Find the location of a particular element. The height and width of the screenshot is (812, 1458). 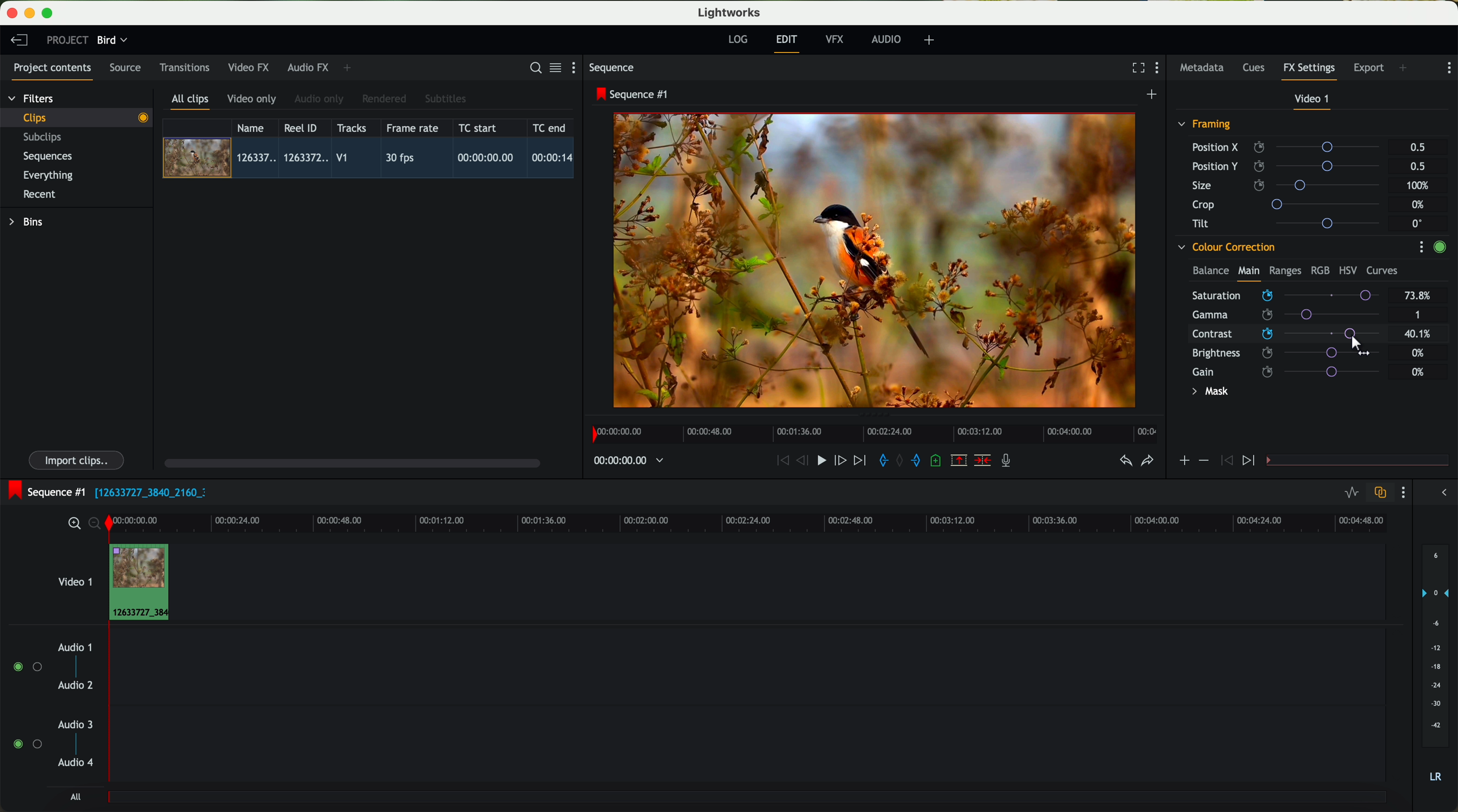

drag video to video track 1 is located at coordinates (144, 583).